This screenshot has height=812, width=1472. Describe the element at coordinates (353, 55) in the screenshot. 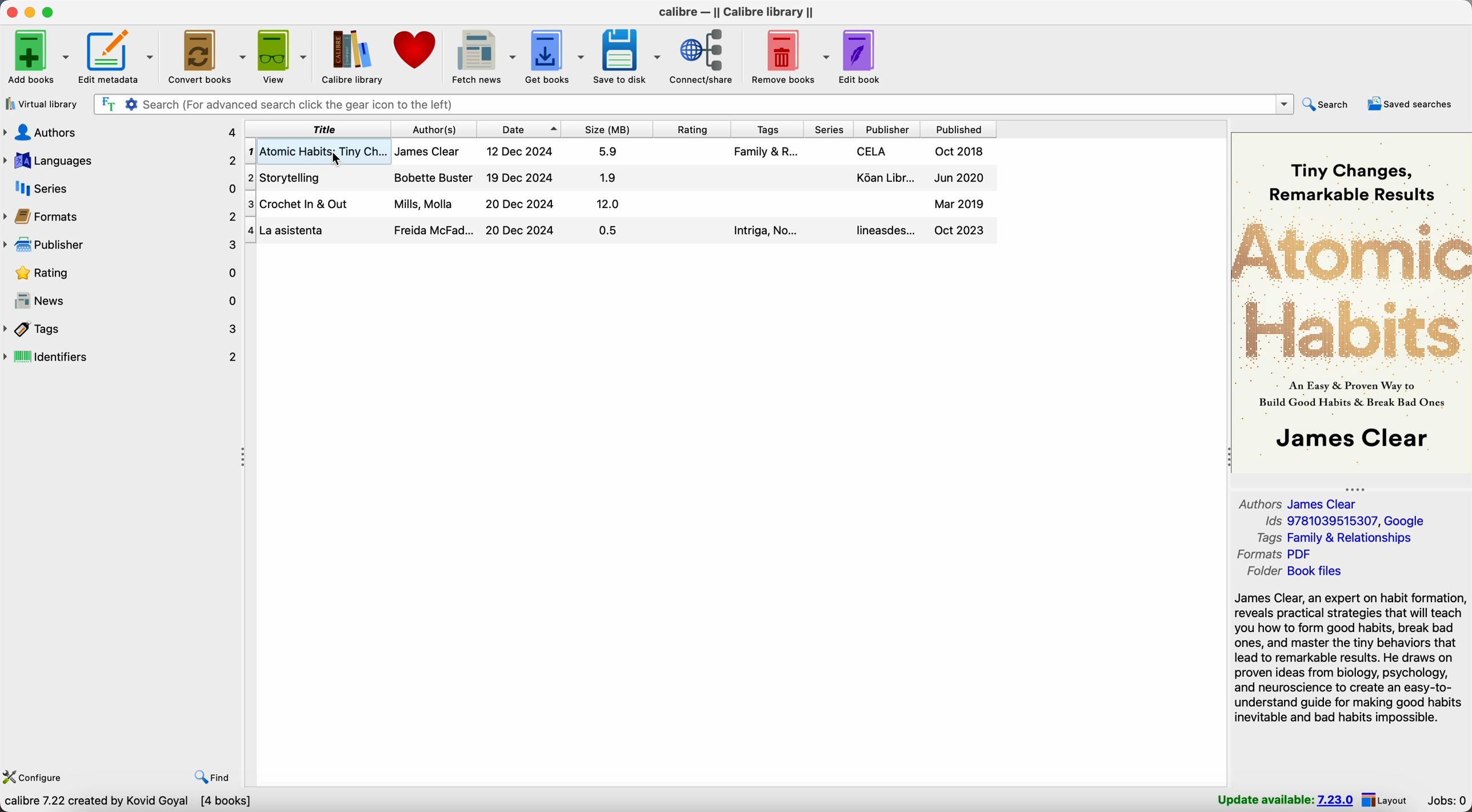

I see `Calibre library` at that location.